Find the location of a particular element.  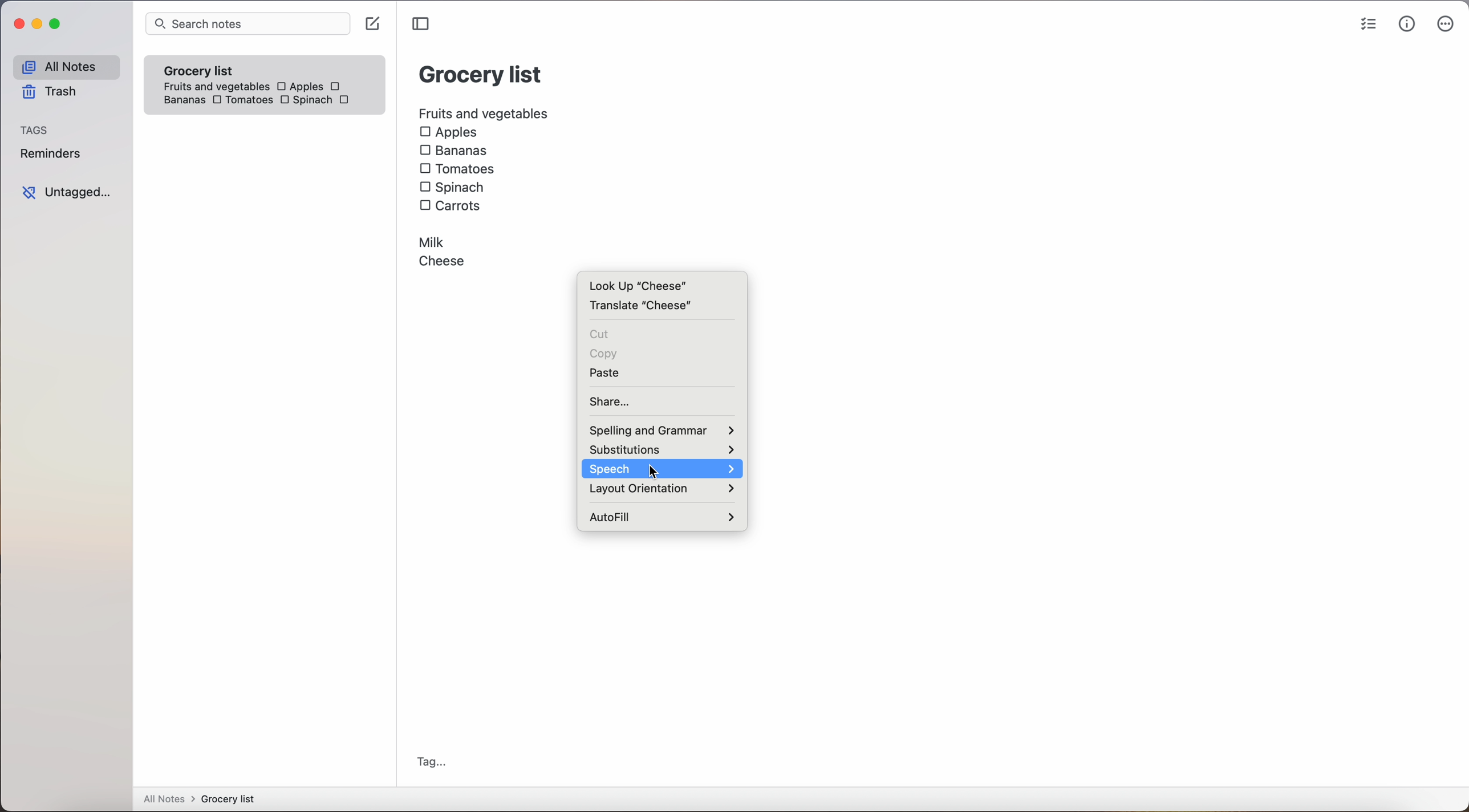

create note is located at coordinates (375, 25).